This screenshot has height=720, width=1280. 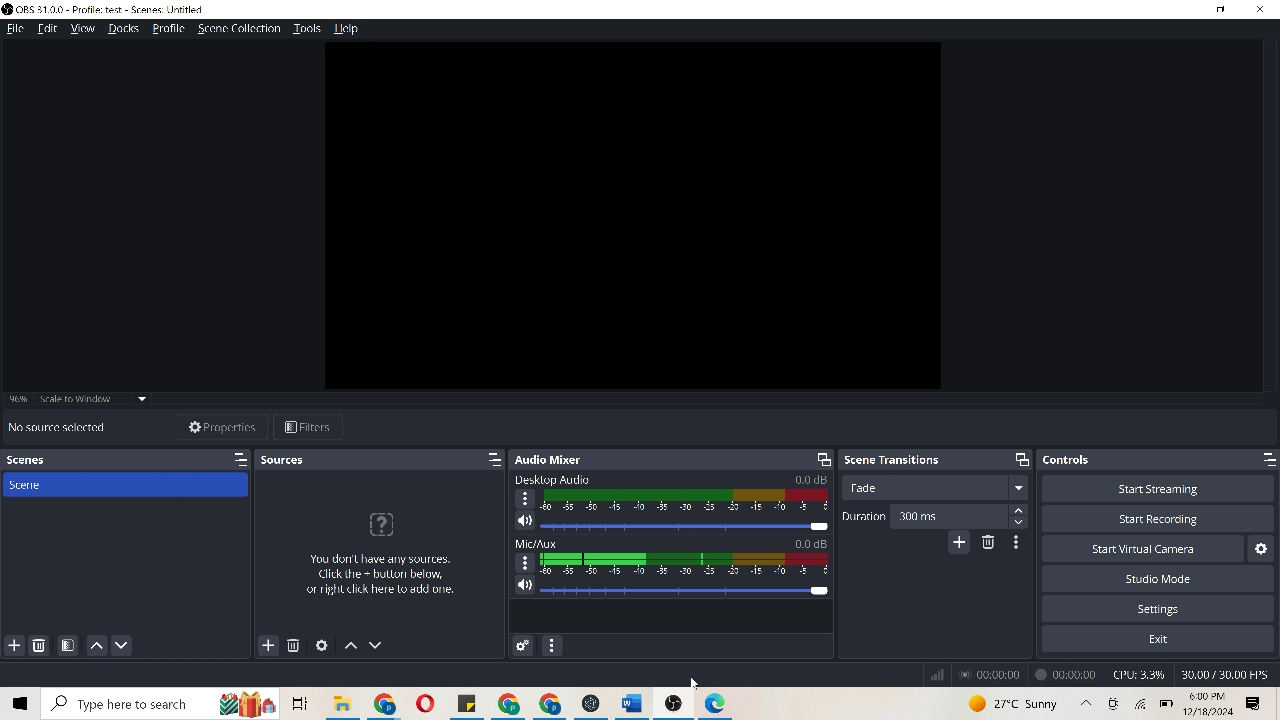 I want to click on filters, so click(x=316, y=425).